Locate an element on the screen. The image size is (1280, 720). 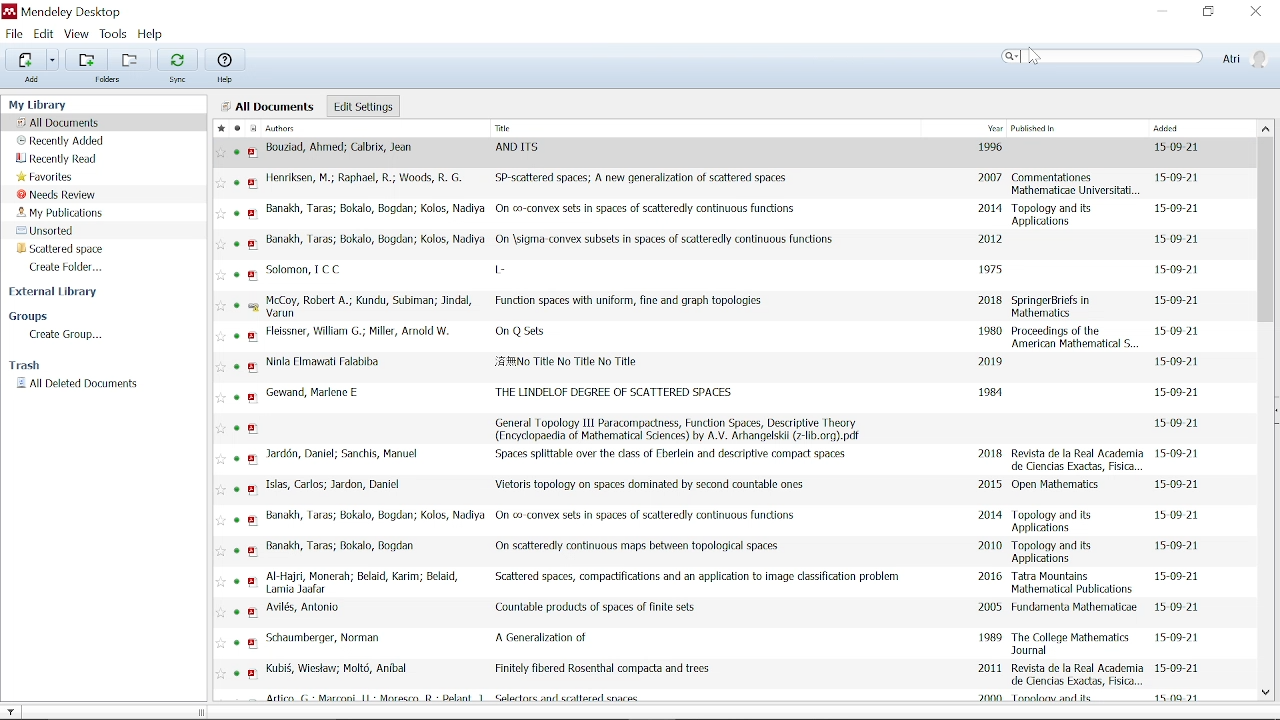
all documents is located at coordinates (271, 107).